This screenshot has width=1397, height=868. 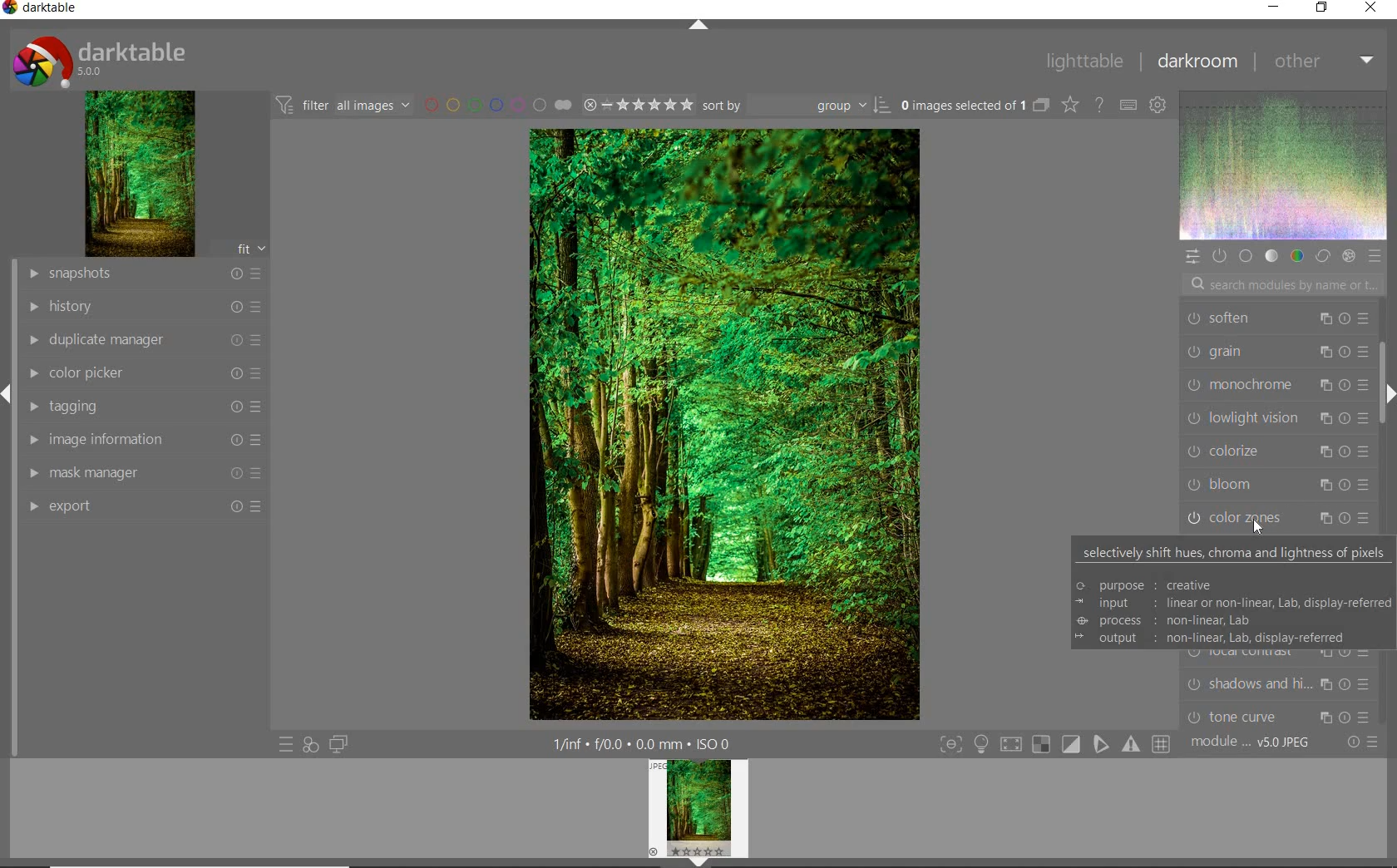 I want to click on SELECTED IMAGE, so click(x=962, y=106).